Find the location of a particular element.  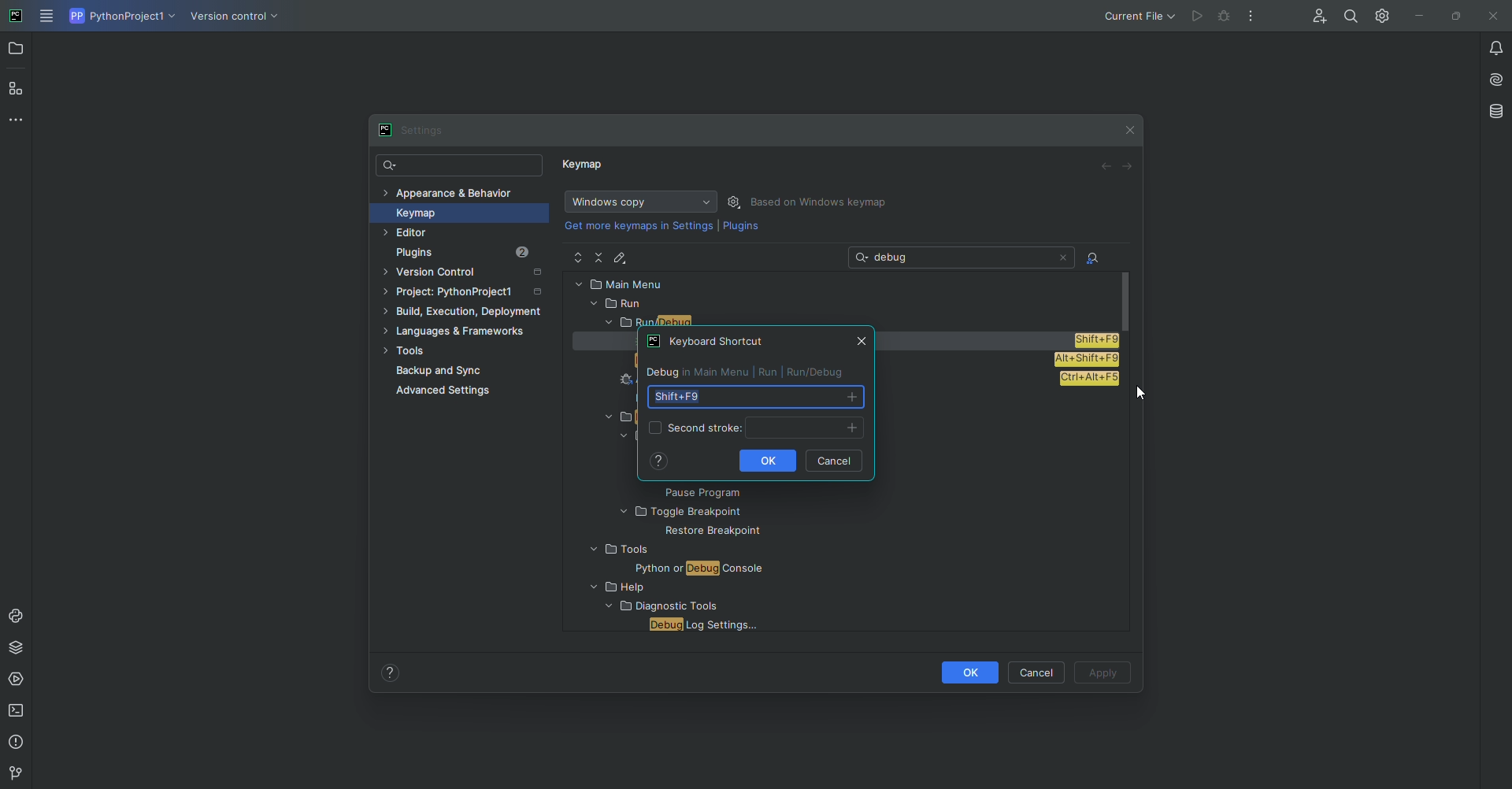

Version Control is located at coordinates (468, 274).